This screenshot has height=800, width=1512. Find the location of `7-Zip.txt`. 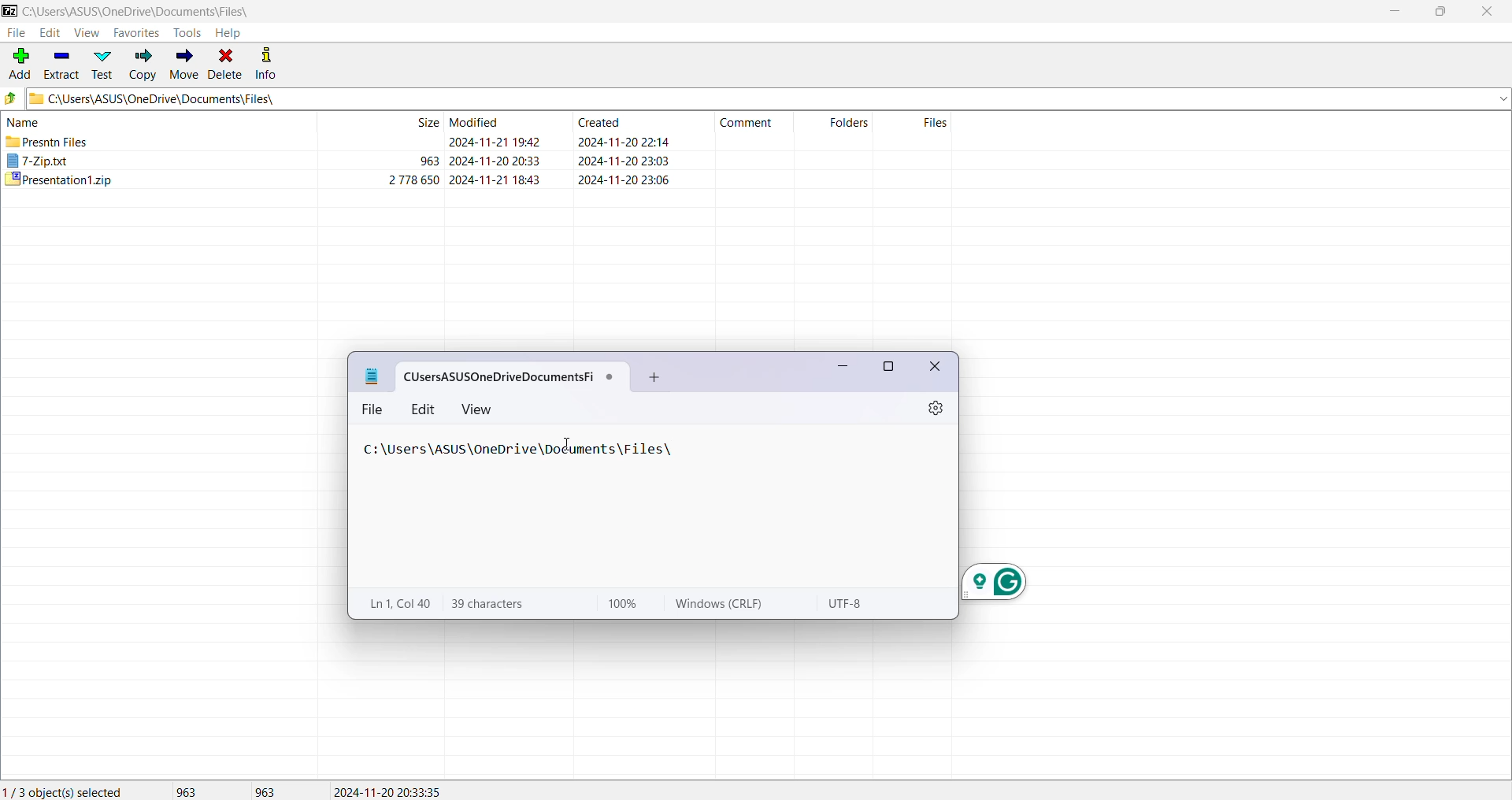

7-Zip.txt is located at coordinates (37, 159).